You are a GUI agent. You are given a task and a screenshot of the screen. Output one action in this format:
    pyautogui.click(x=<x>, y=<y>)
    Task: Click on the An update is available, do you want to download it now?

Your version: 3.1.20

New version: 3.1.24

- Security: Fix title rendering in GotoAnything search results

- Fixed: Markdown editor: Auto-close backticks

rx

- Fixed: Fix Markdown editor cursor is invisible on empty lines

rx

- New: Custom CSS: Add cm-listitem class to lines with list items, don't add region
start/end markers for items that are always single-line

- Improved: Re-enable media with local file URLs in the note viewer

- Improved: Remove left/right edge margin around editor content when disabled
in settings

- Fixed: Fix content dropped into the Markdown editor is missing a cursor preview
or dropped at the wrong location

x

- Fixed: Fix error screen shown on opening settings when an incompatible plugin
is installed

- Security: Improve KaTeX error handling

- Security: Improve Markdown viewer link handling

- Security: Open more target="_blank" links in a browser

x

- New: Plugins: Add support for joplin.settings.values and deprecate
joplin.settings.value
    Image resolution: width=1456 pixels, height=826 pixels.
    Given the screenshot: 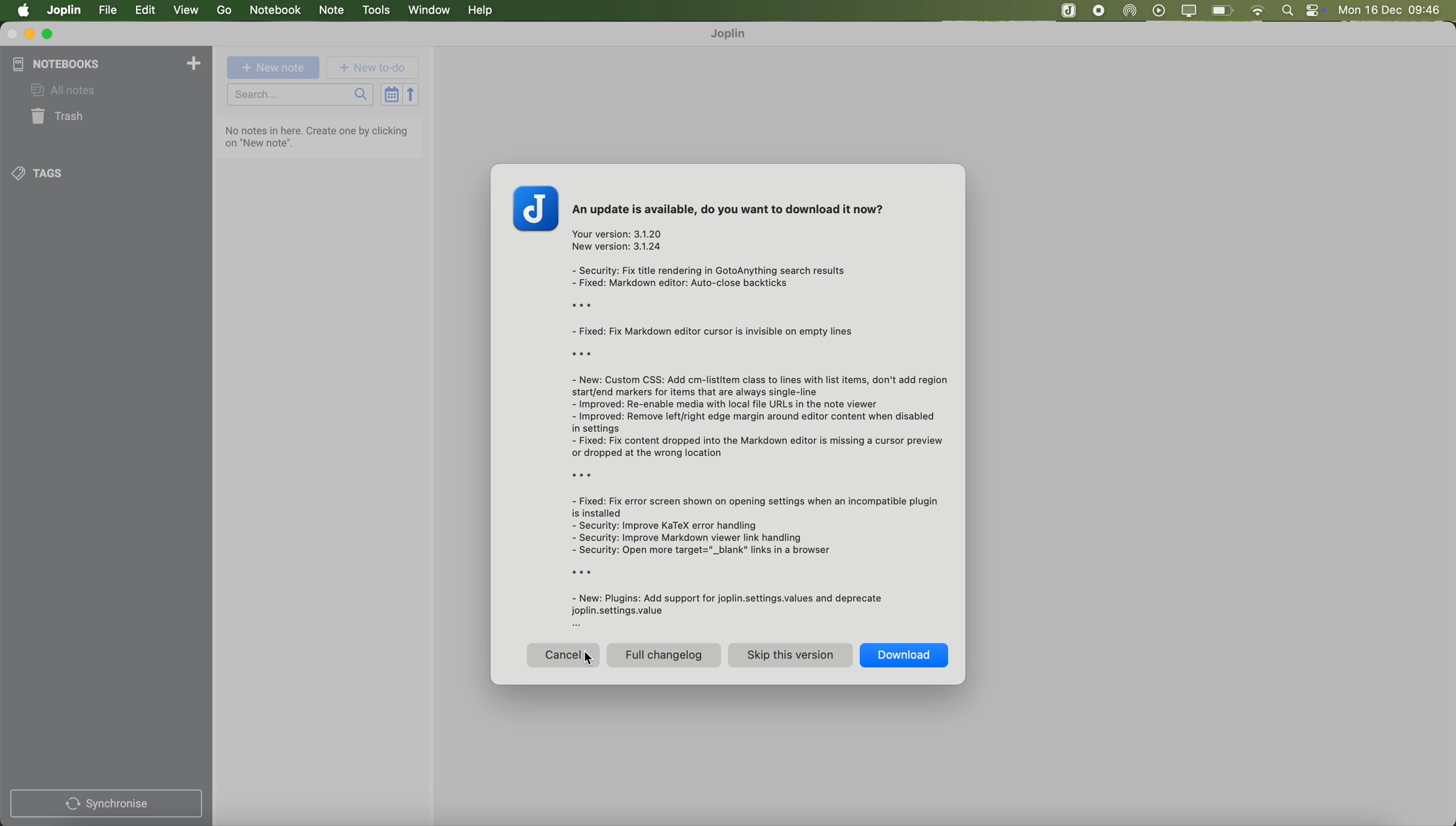 What is the action you would take?
    pyautogui.click(x=755, y=414)
    